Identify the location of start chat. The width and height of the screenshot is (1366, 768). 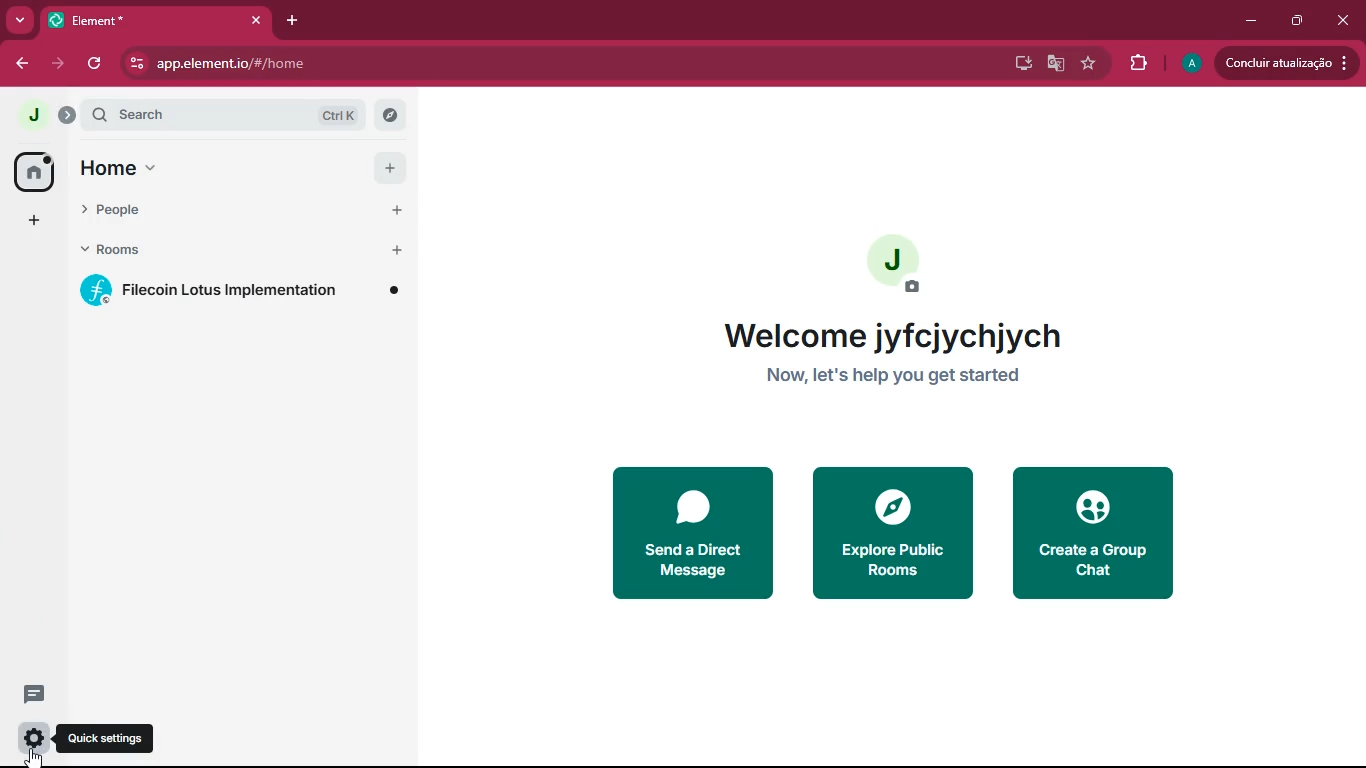
(398, 210).